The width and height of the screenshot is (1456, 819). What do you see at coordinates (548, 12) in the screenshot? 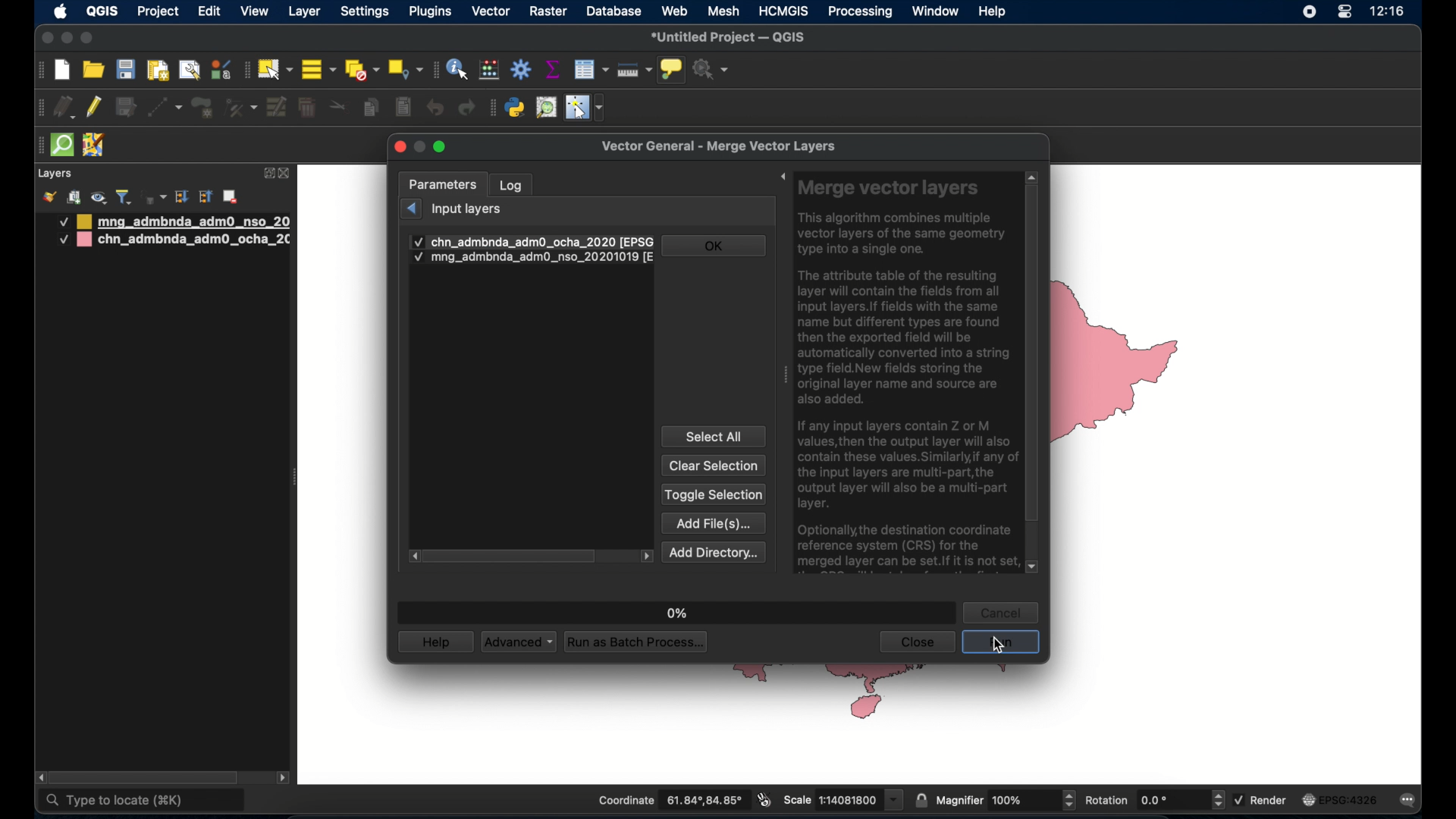
I see `raster` at bounding box center [548, 12].